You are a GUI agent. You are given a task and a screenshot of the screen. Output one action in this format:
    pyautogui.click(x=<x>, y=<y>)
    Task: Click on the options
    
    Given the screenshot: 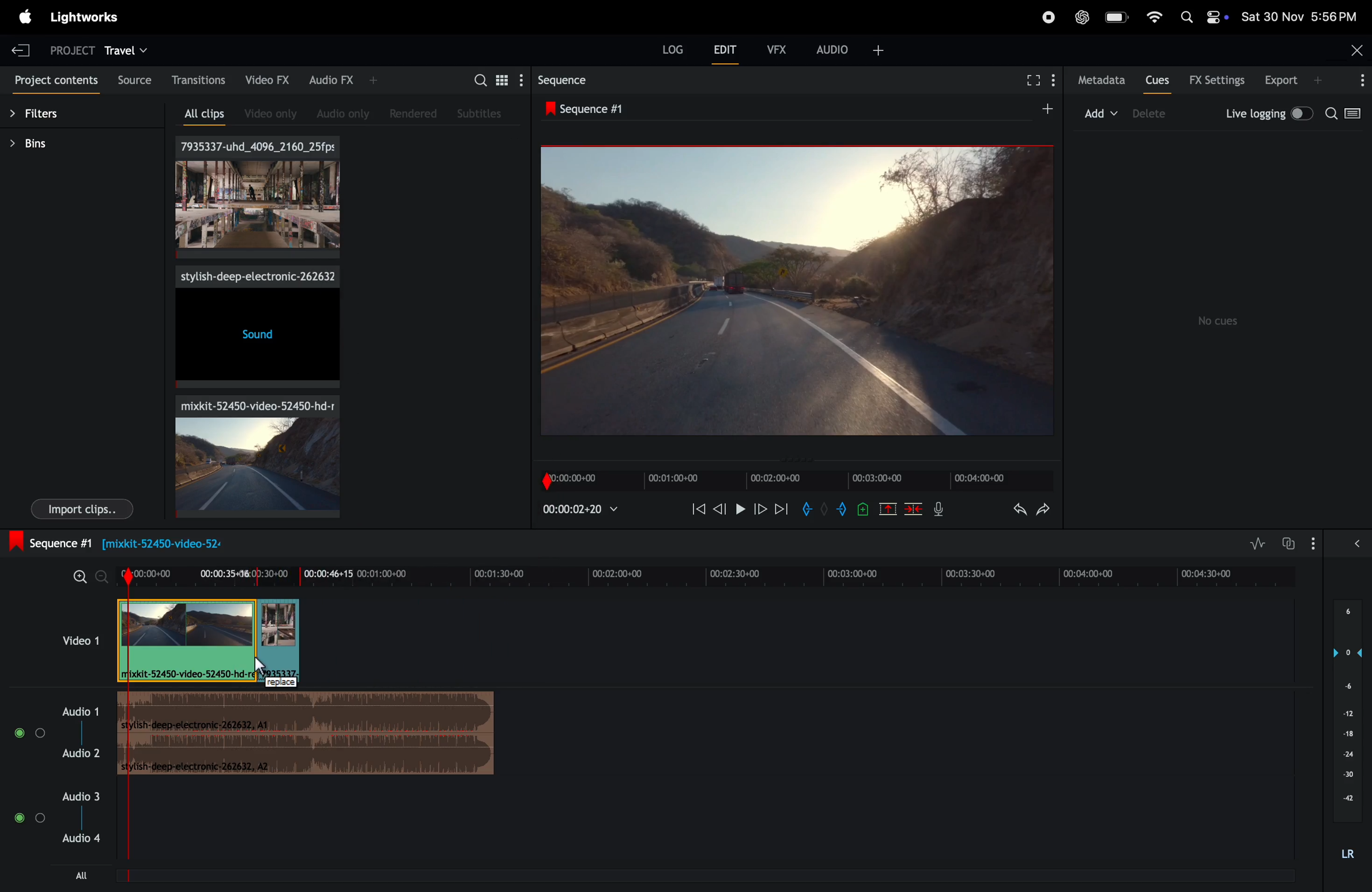 What is the action you would take?
    pyautogui.click(x=1359, y=80)
    